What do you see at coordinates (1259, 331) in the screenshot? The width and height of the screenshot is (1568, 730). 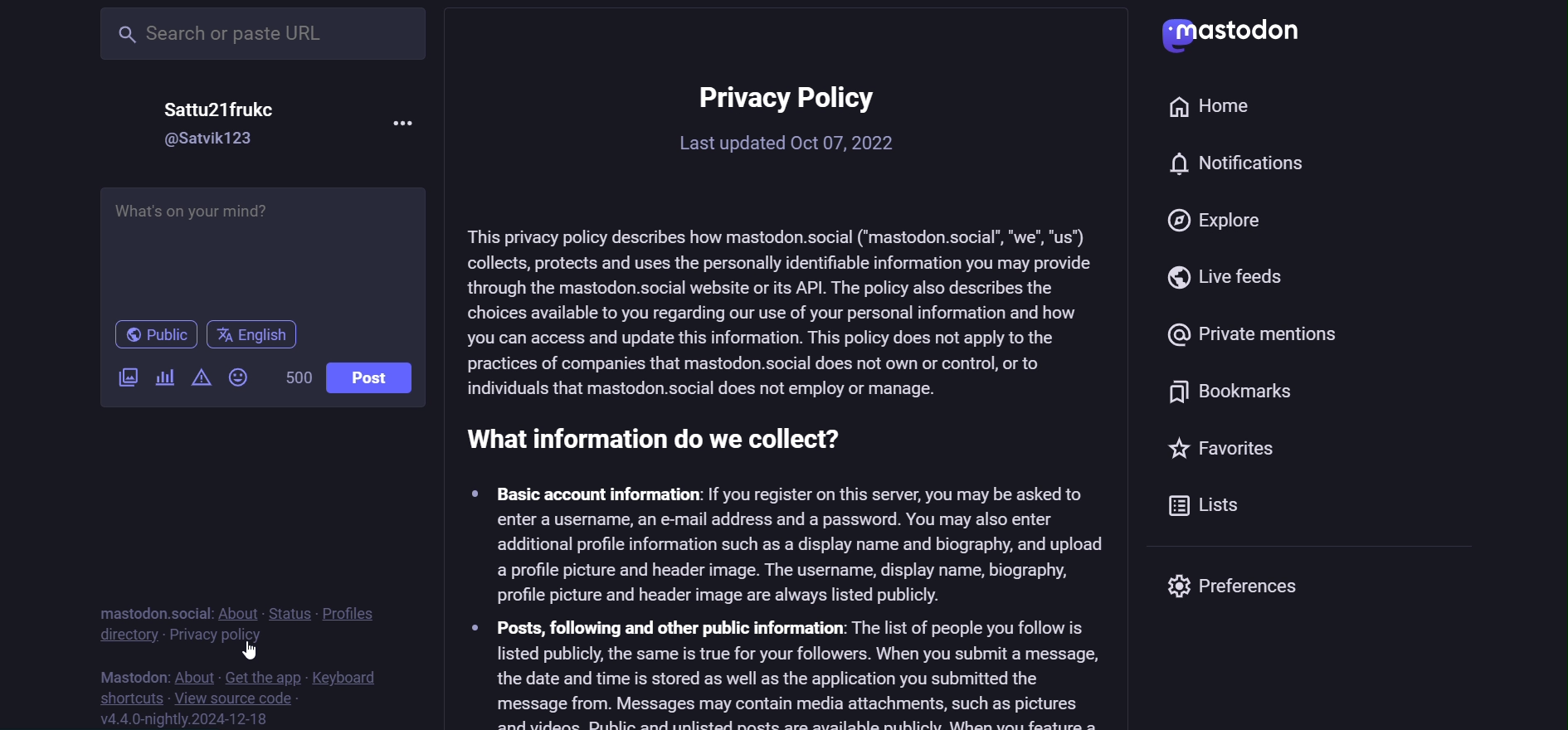 I see `private mention` at bounding box center [1259, 331].